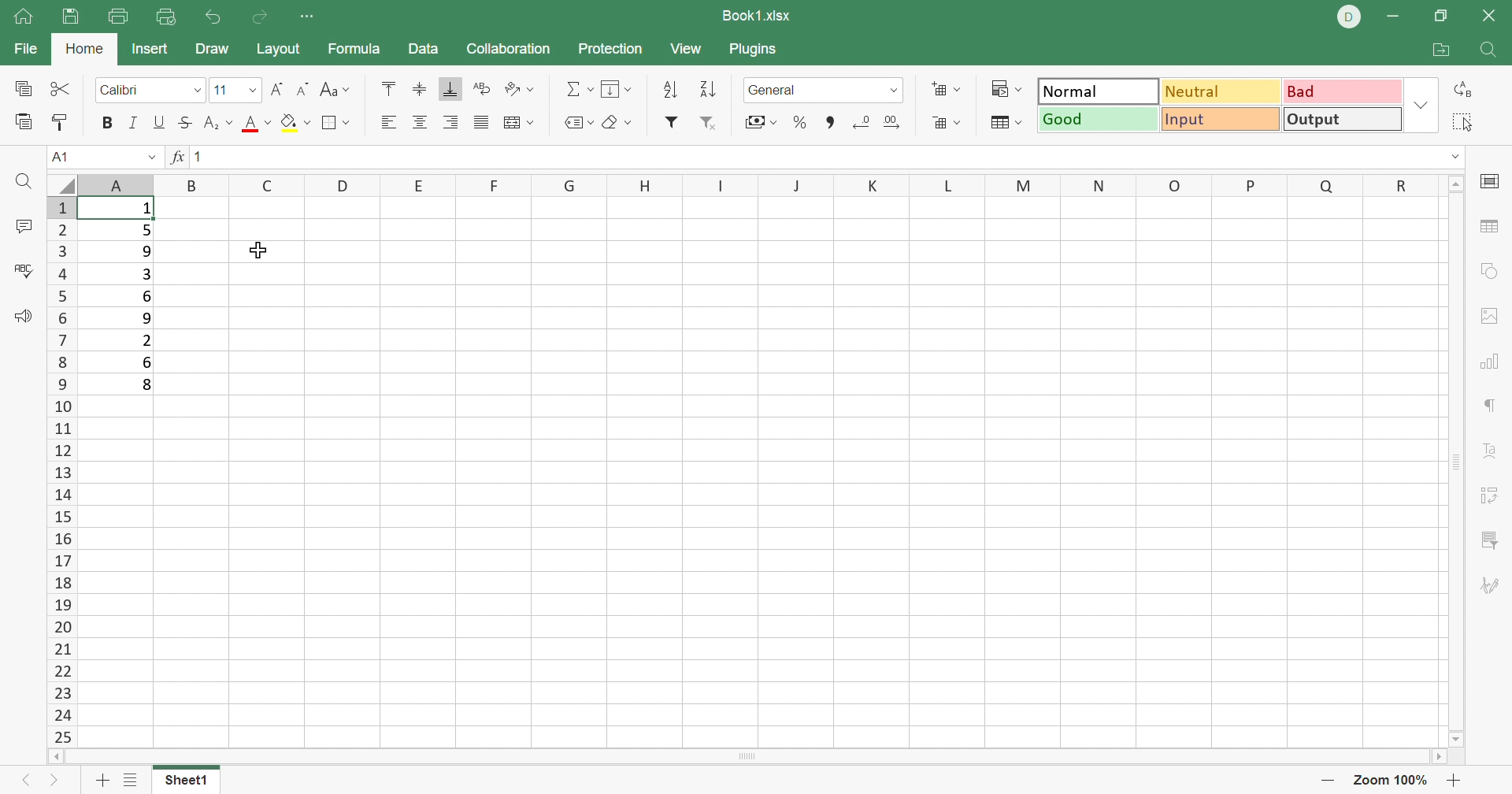 The height and width of the screenshot is (794, 1512). Describe the element at coordinates (148, 362) in the screenshot. I see `6` at that location.